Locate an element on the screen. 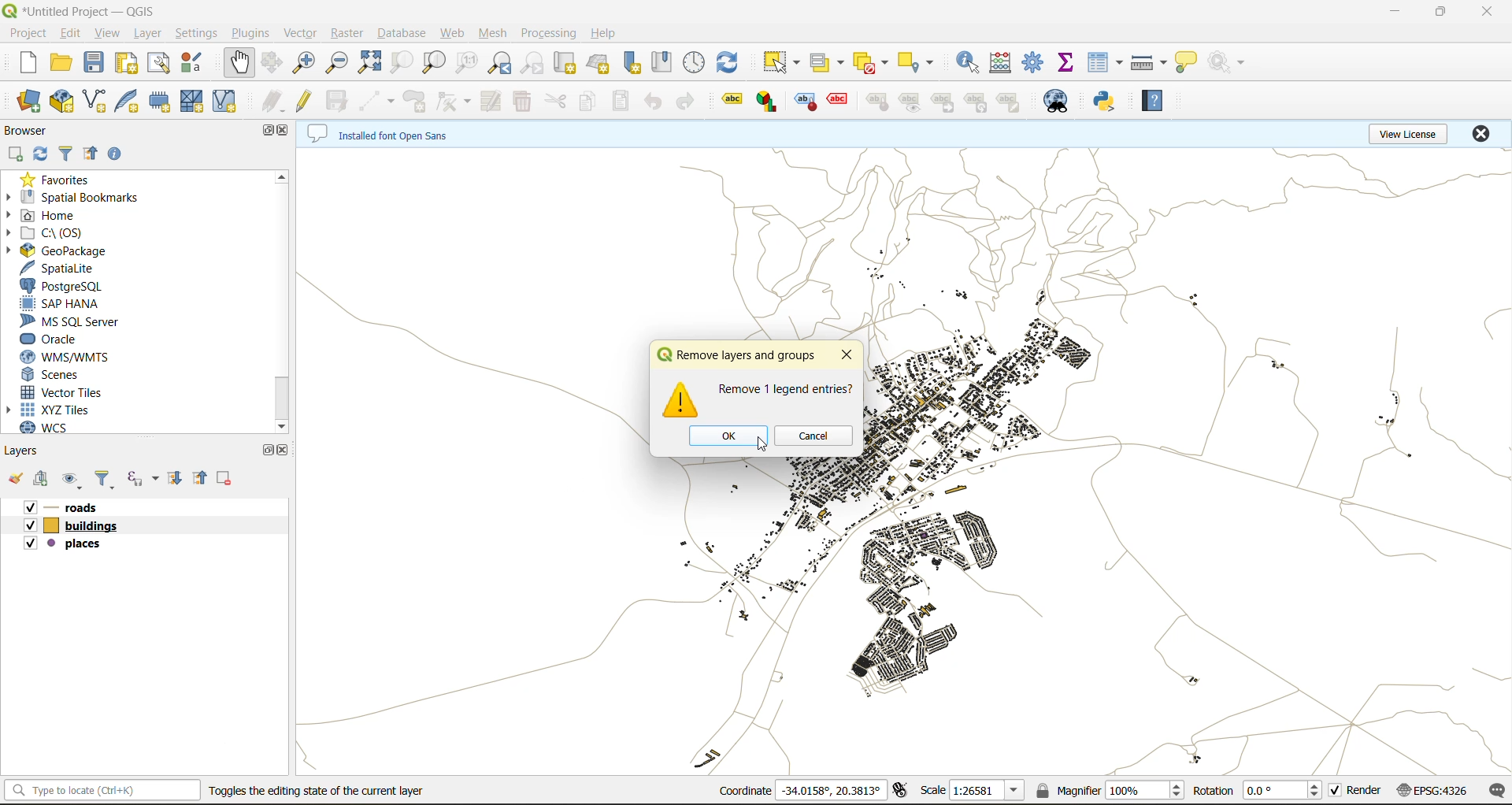 The image size is (1512, 805). new geopackage is located at coordinates (64, 102).